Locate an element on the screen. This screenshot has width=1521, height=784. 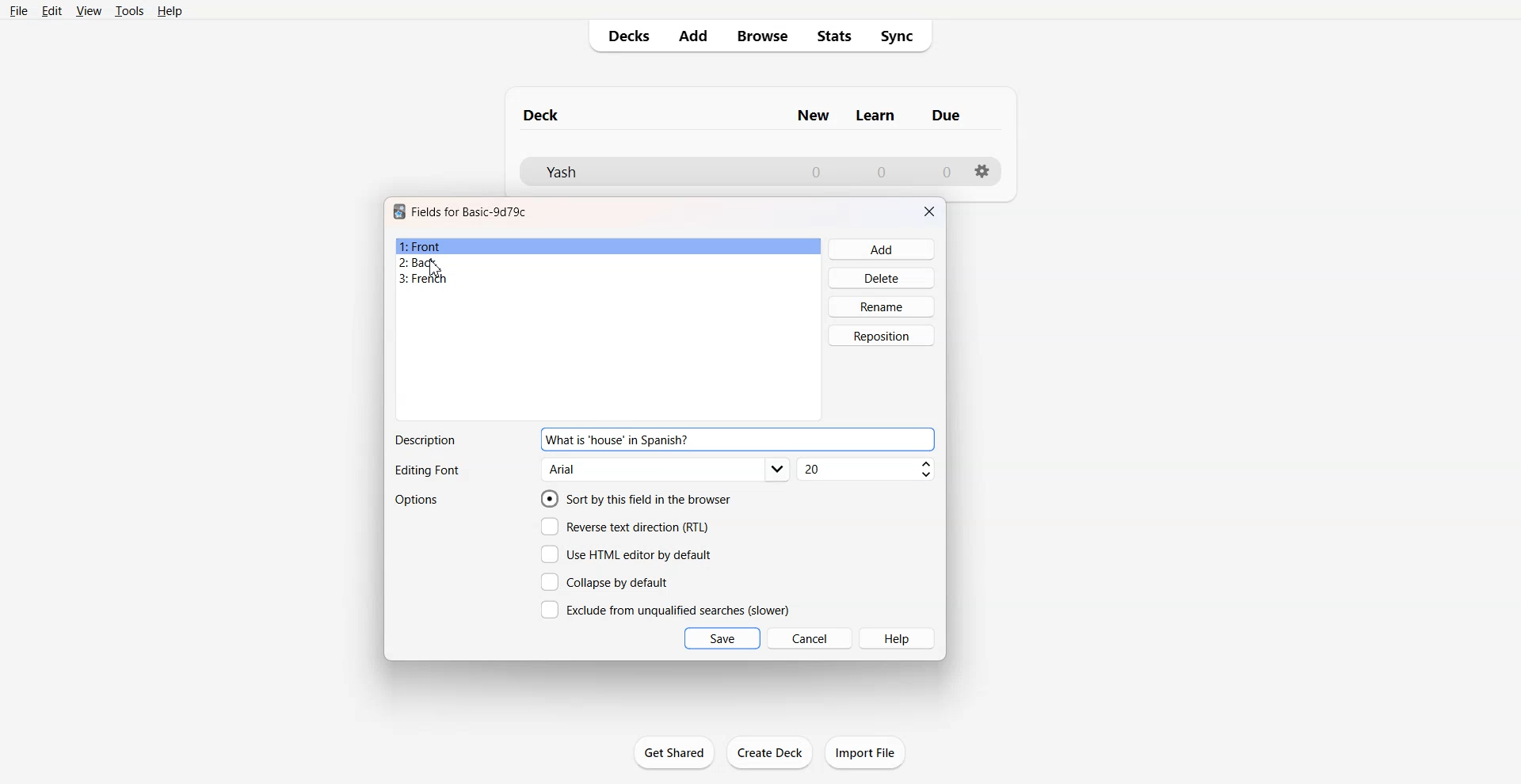
Use HTML editor by default is located at coordinates (626, 554).